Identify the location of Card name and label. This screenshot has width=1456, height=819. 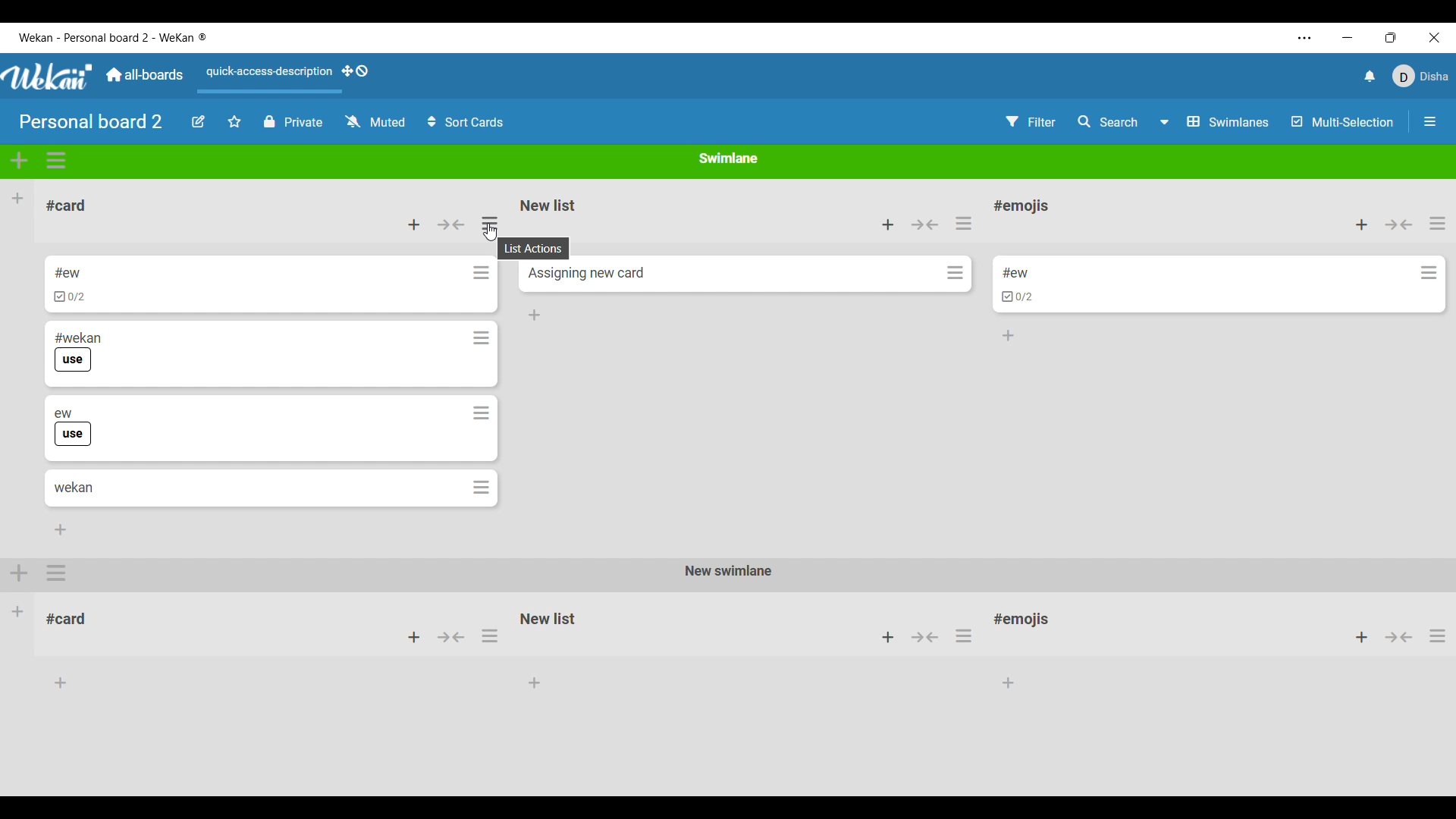
(77, 351).